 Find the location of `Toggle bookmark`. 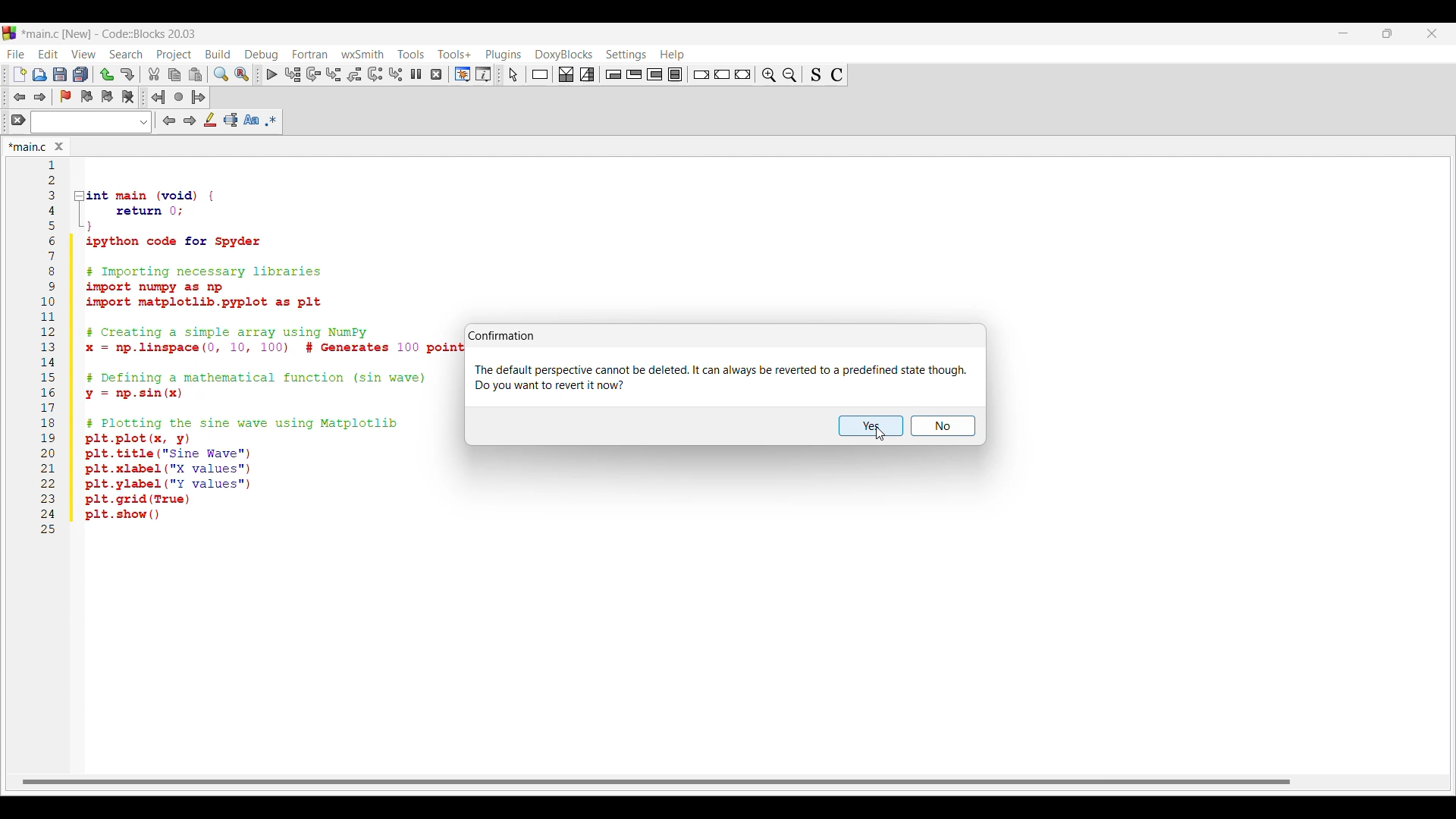

Toggle bookmark is located at coordinates (65, 96).